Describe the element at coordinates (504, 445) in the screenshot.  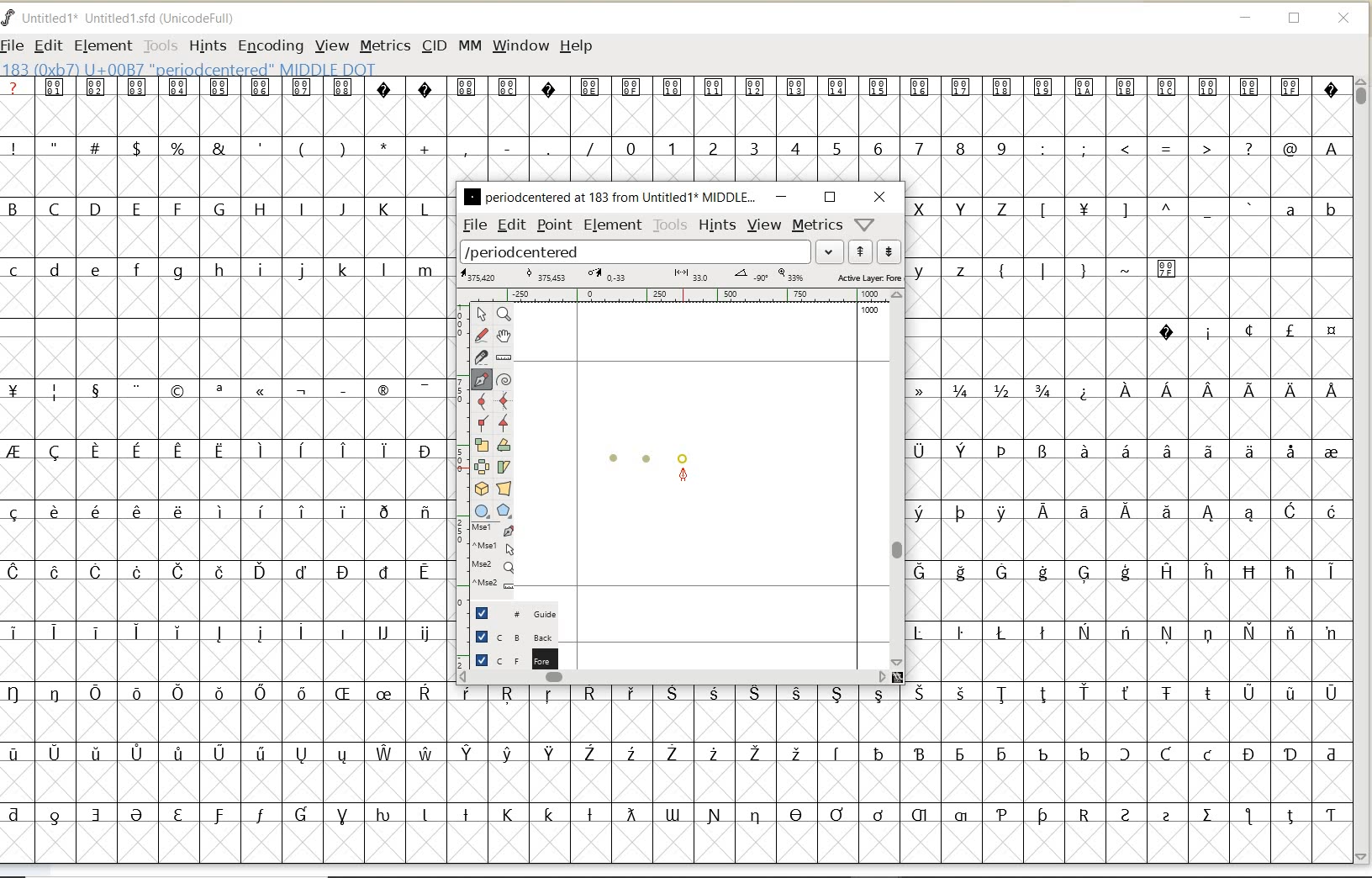
I see `Rotate the selection` at that location.